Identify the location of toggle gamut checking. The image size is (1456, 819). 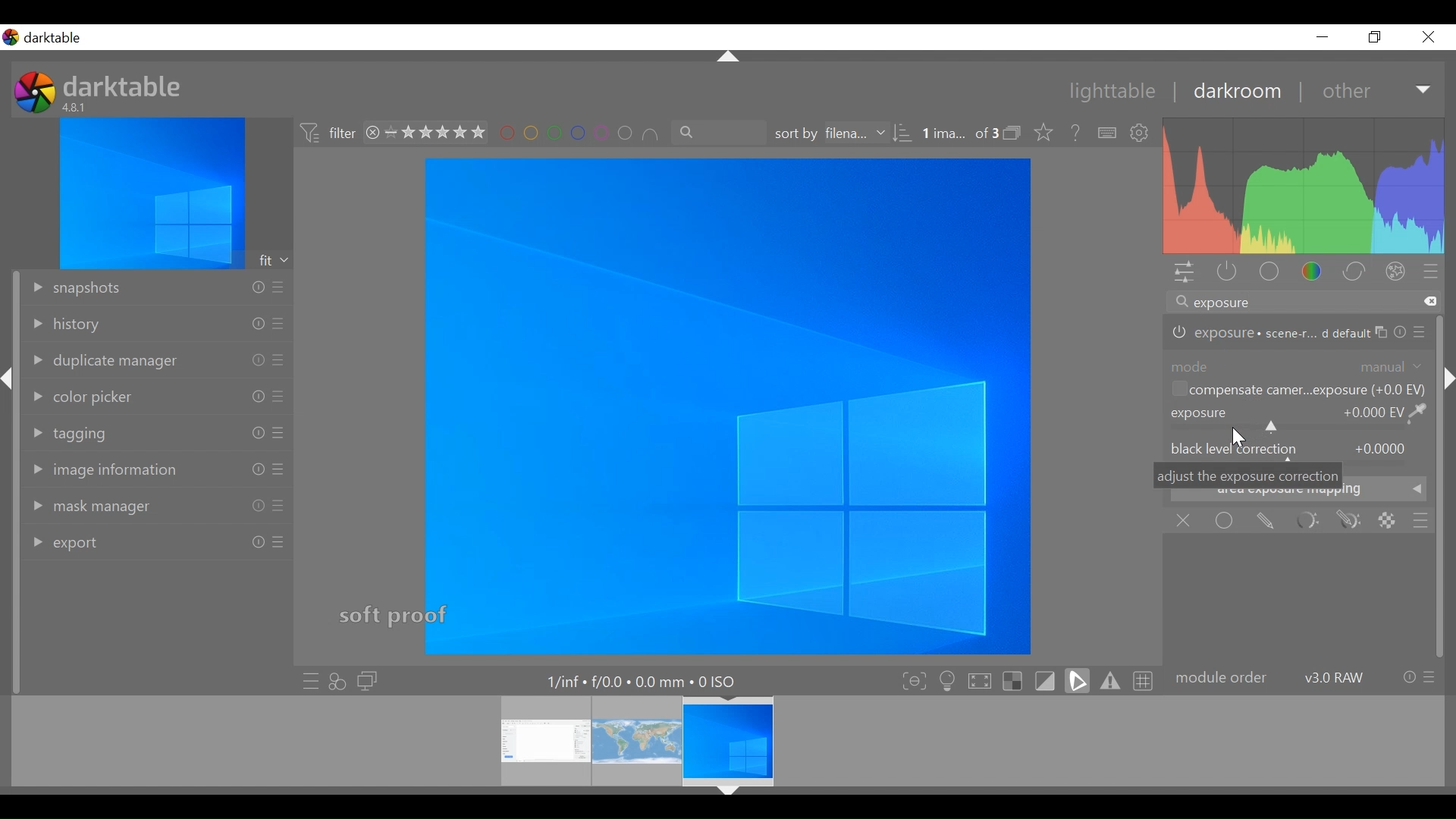
(1109, 681).